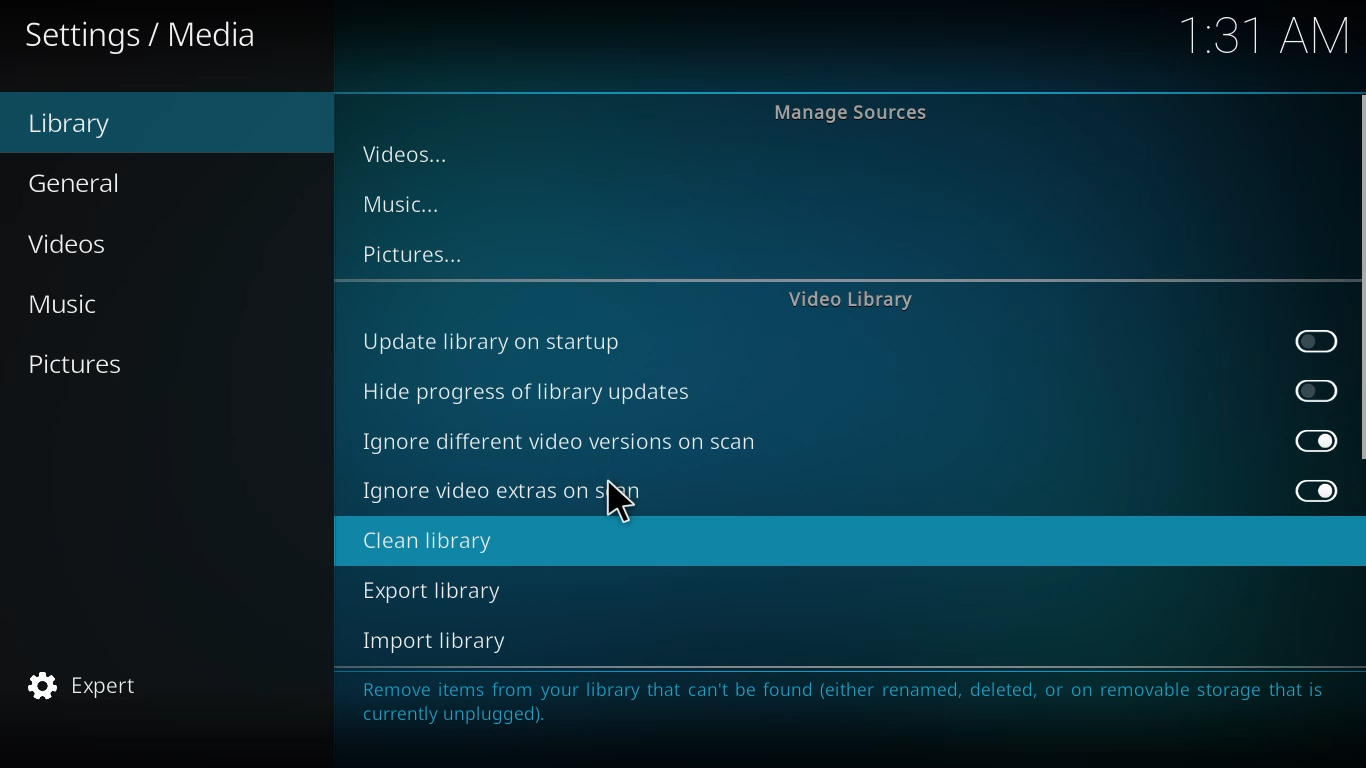 This screenshot has width=1366, height=768. What do you see at coordinates (84, 184) in the screenshot?
I see `General` at bounding box center [84, 184].